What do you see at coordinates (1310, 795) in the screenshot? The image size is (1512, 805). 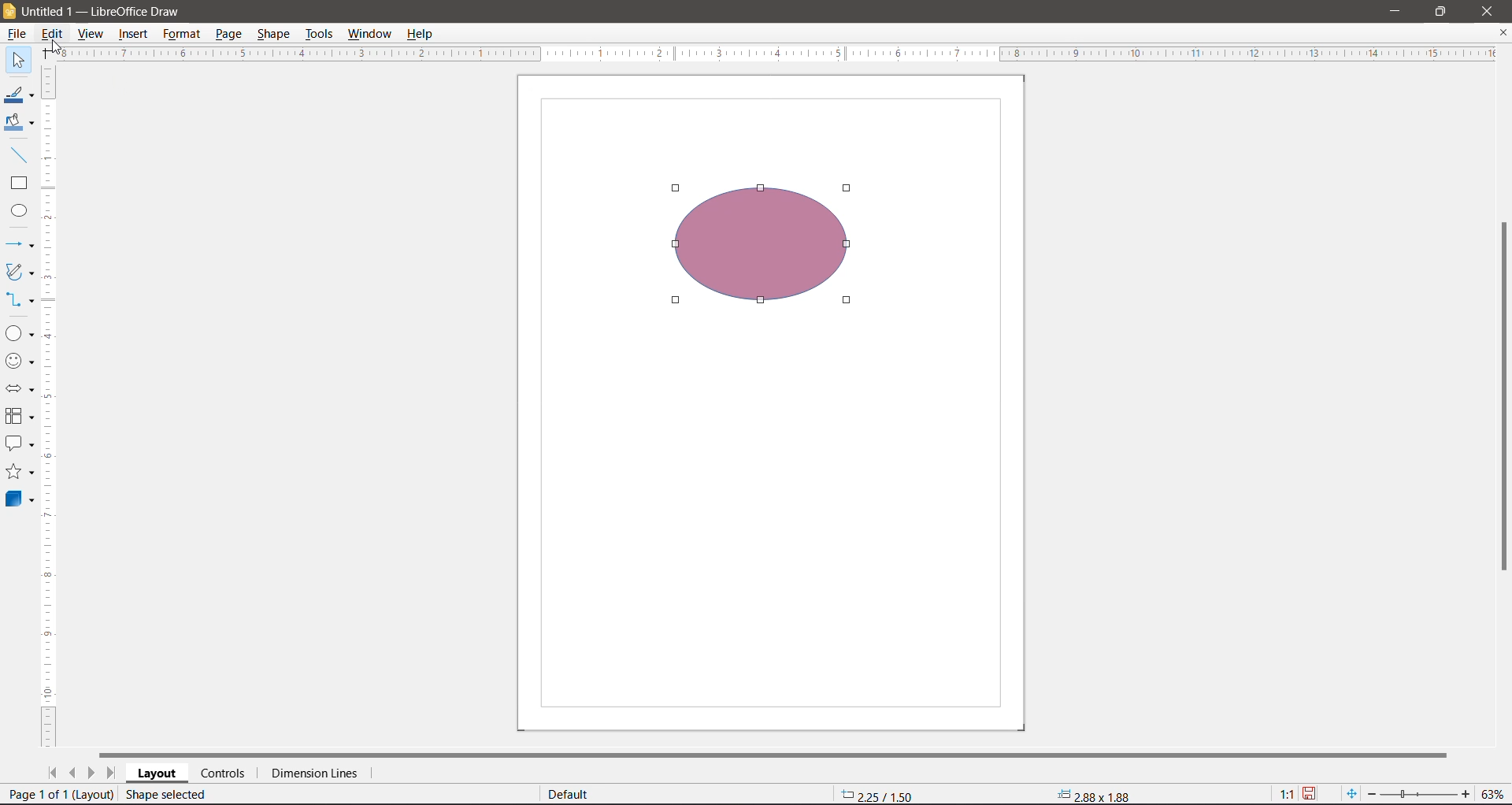 I see `Unsaved changes` at bounding box center [1310, 795].